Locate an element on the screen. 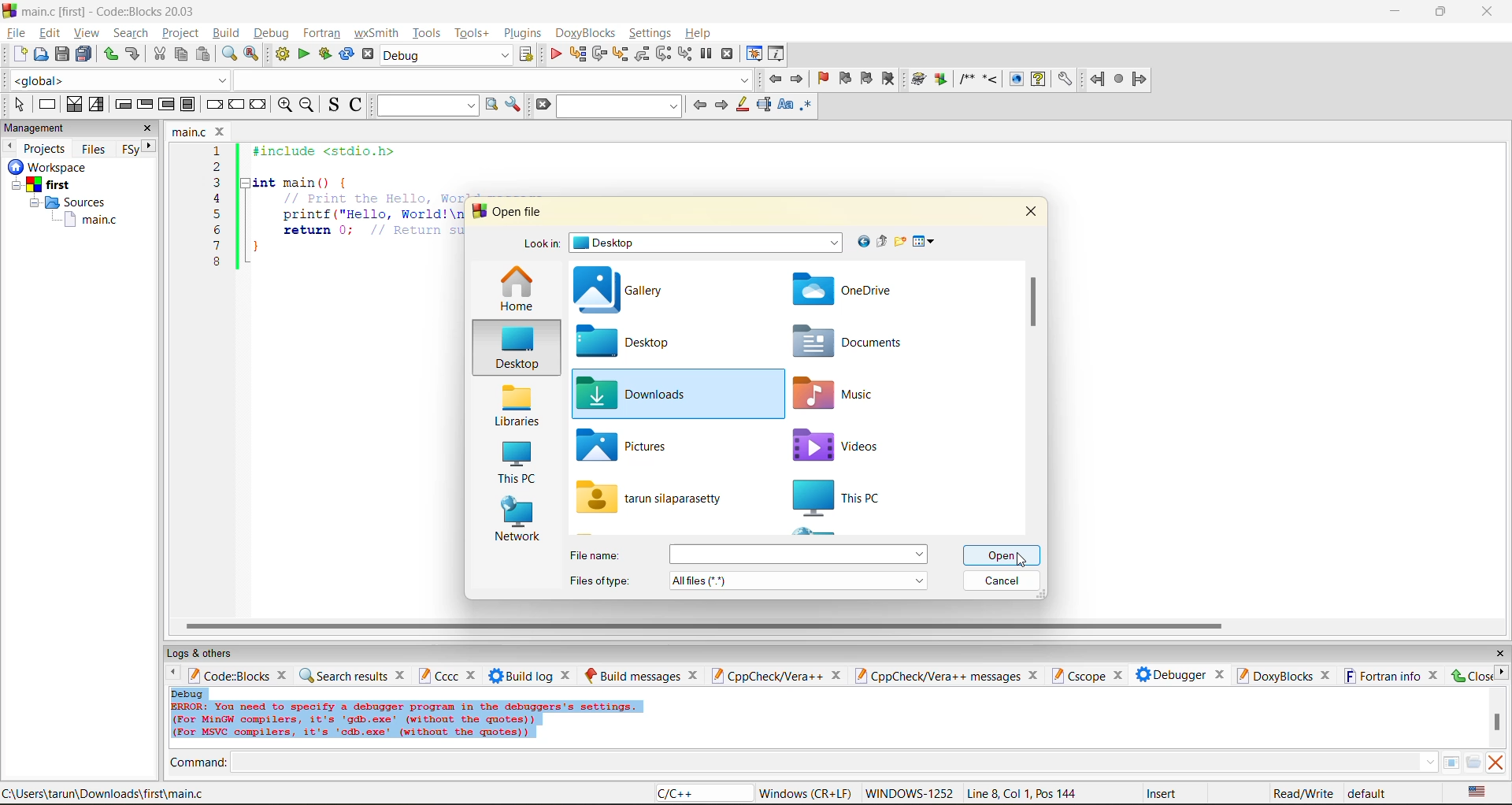  zoom in is located at coordinates (286, 106).